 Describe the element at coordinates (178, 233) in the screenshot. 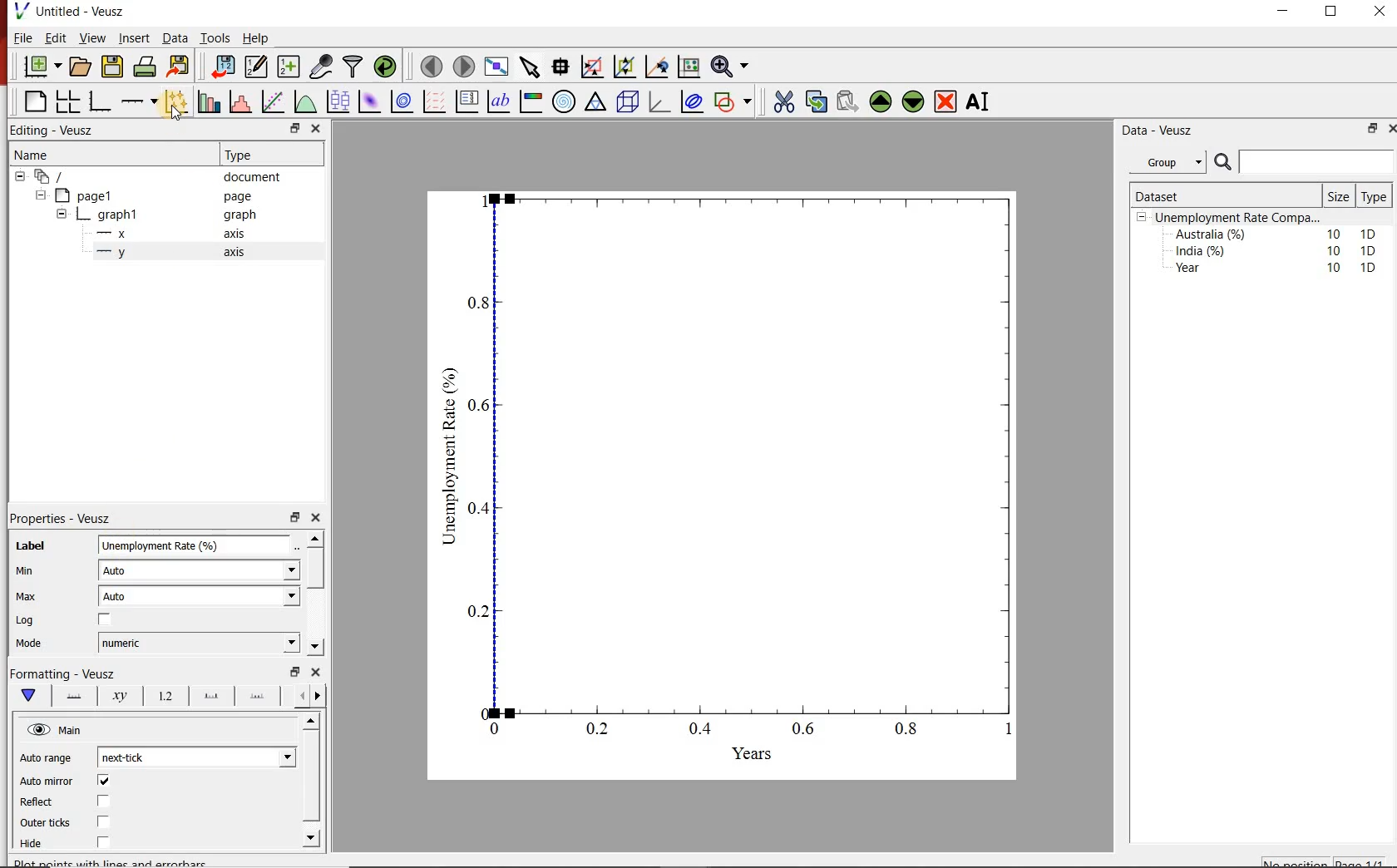

I see `x axis` at that location.